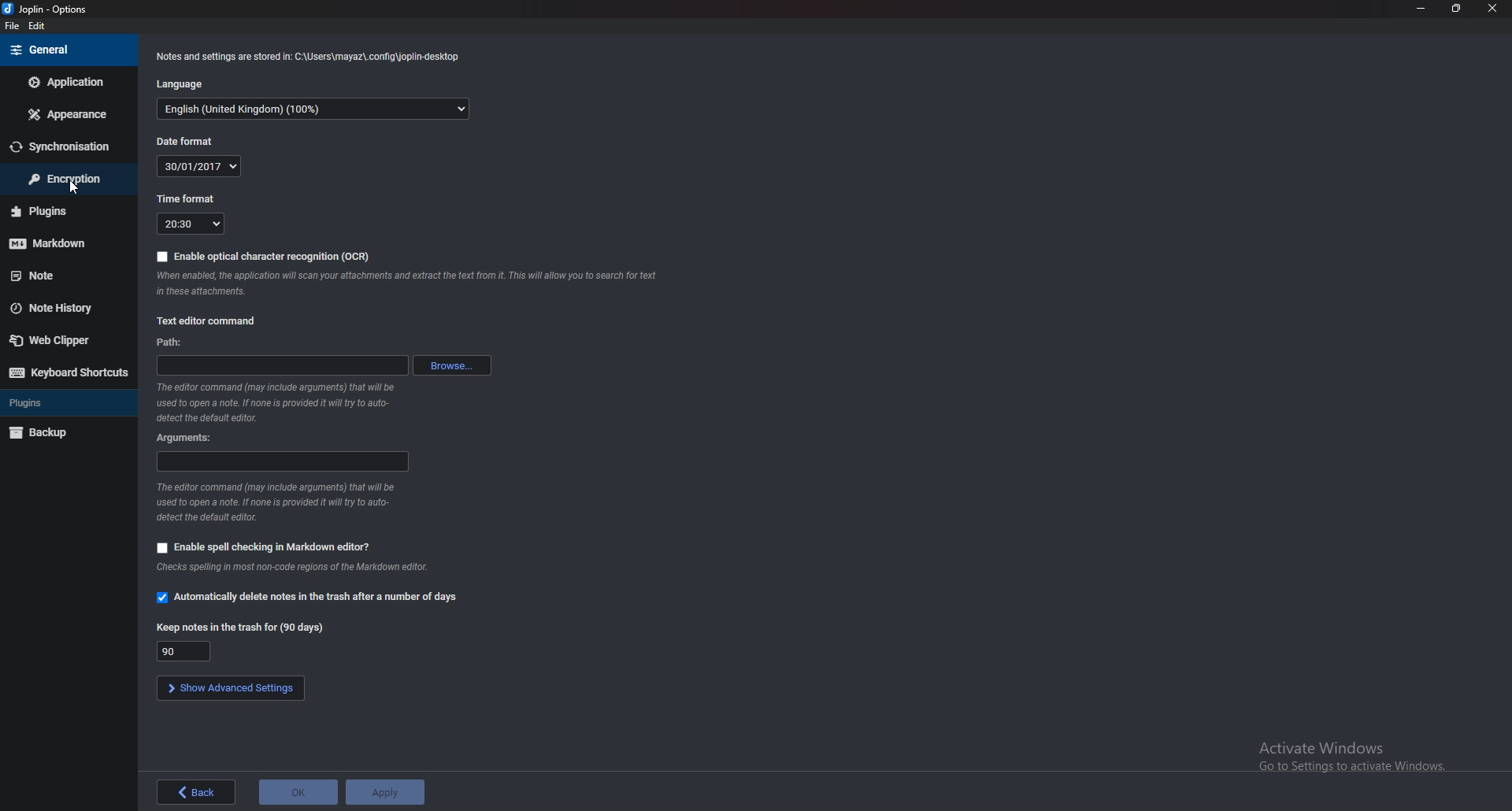 The width and height of the screenshot is (1512, 811). I want to click on enable spell checker in markdown, so click(265, 546).